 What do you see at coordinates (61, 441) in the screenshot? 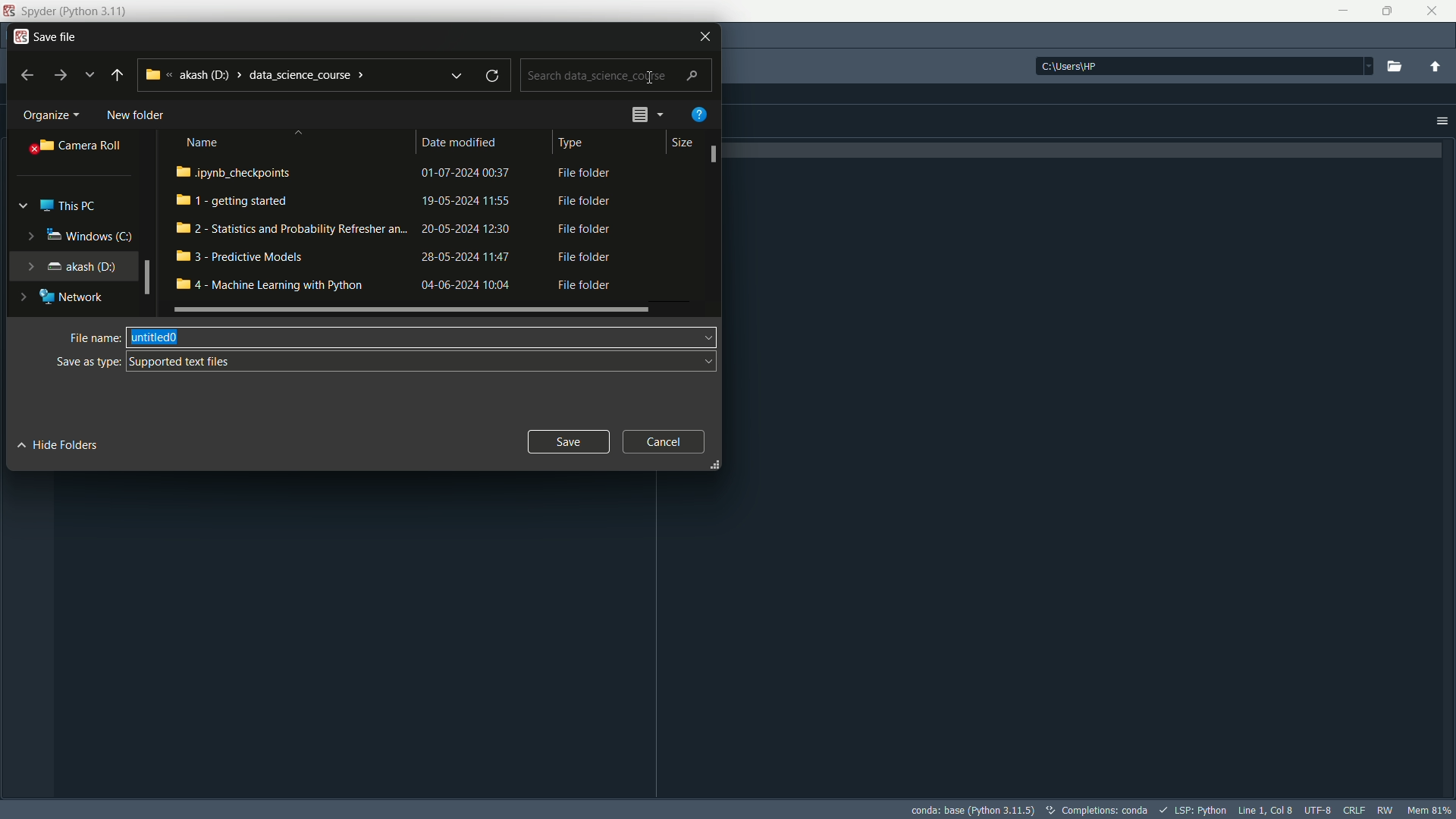
I see `hide folders` at bounding box center [61, 441].